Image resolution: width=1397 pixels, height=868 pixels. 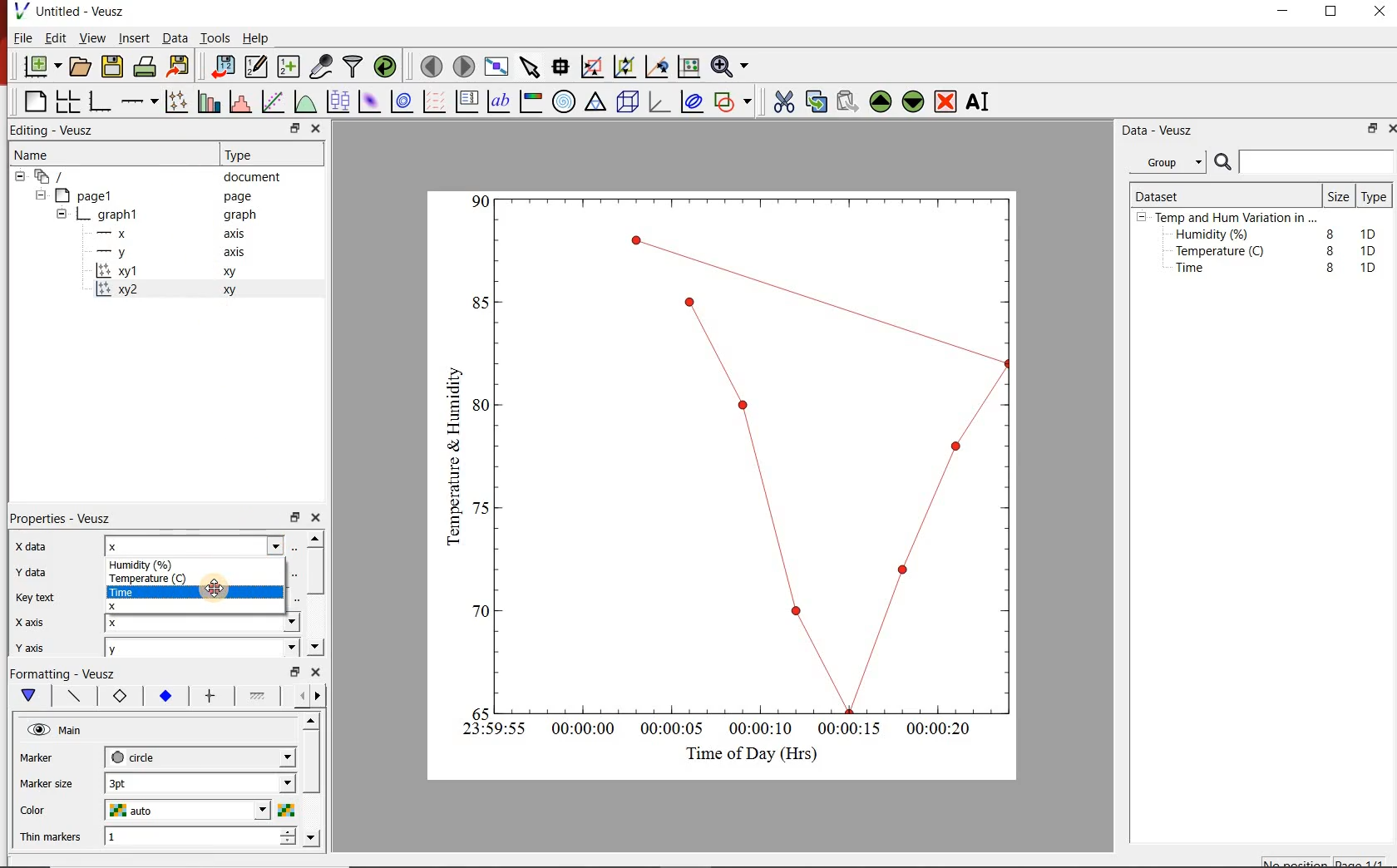 I want to click on restore down, so click(x=294, y=518).